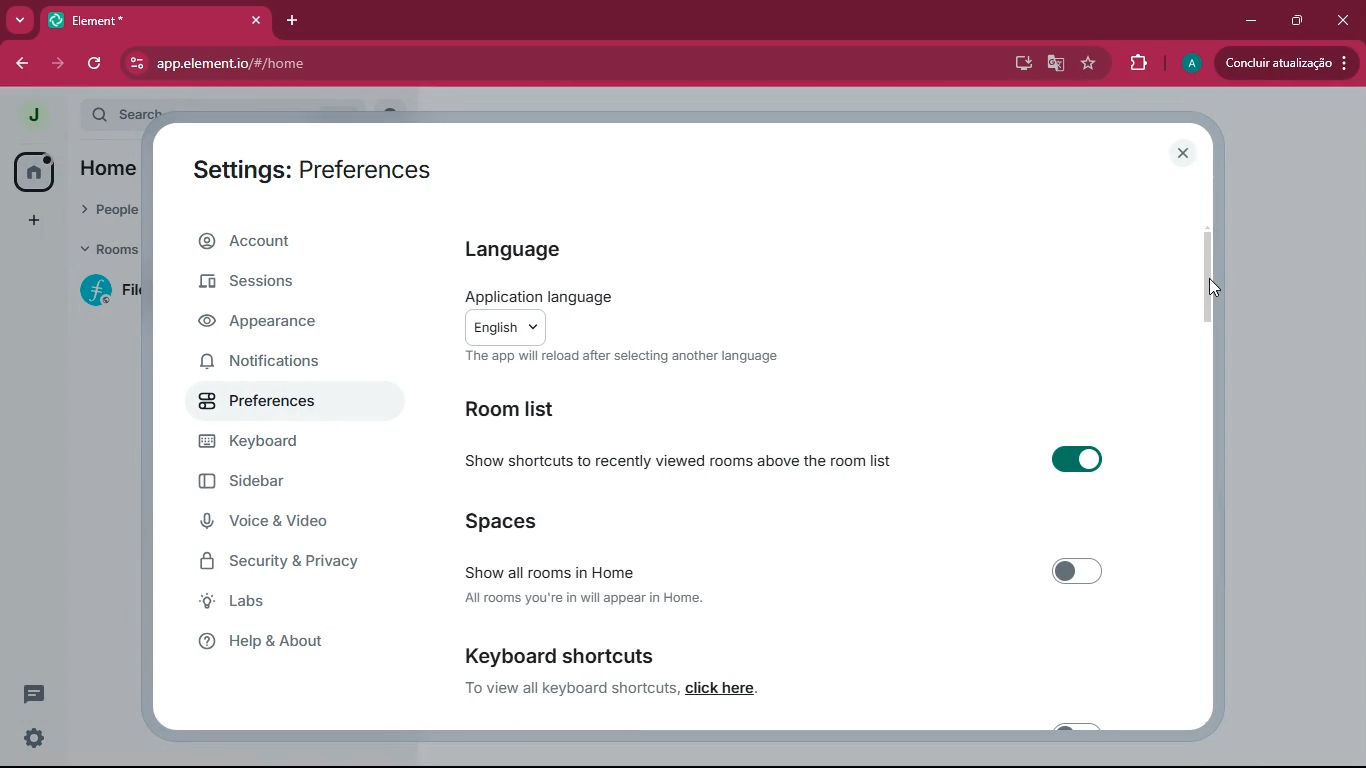  I want to click on notifications, so click(277, 365).